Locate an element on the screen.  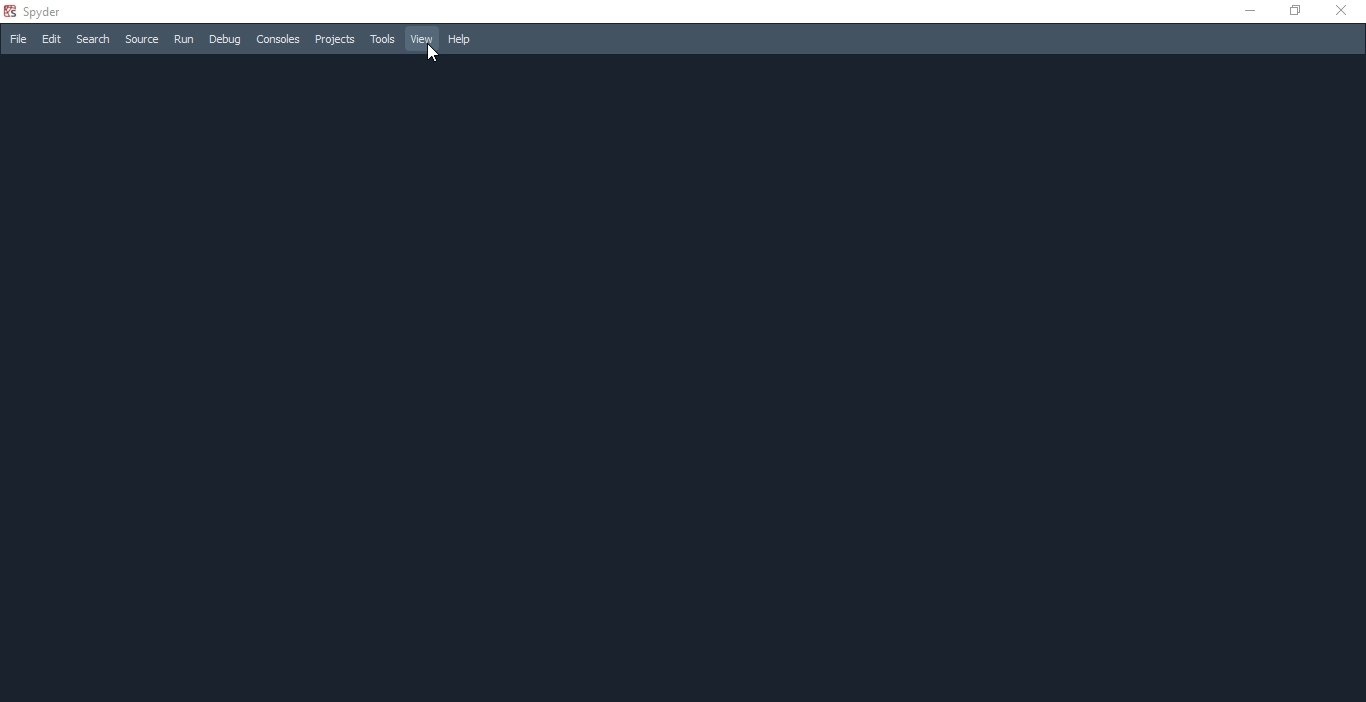
sources is located at coordinates (139, 39).